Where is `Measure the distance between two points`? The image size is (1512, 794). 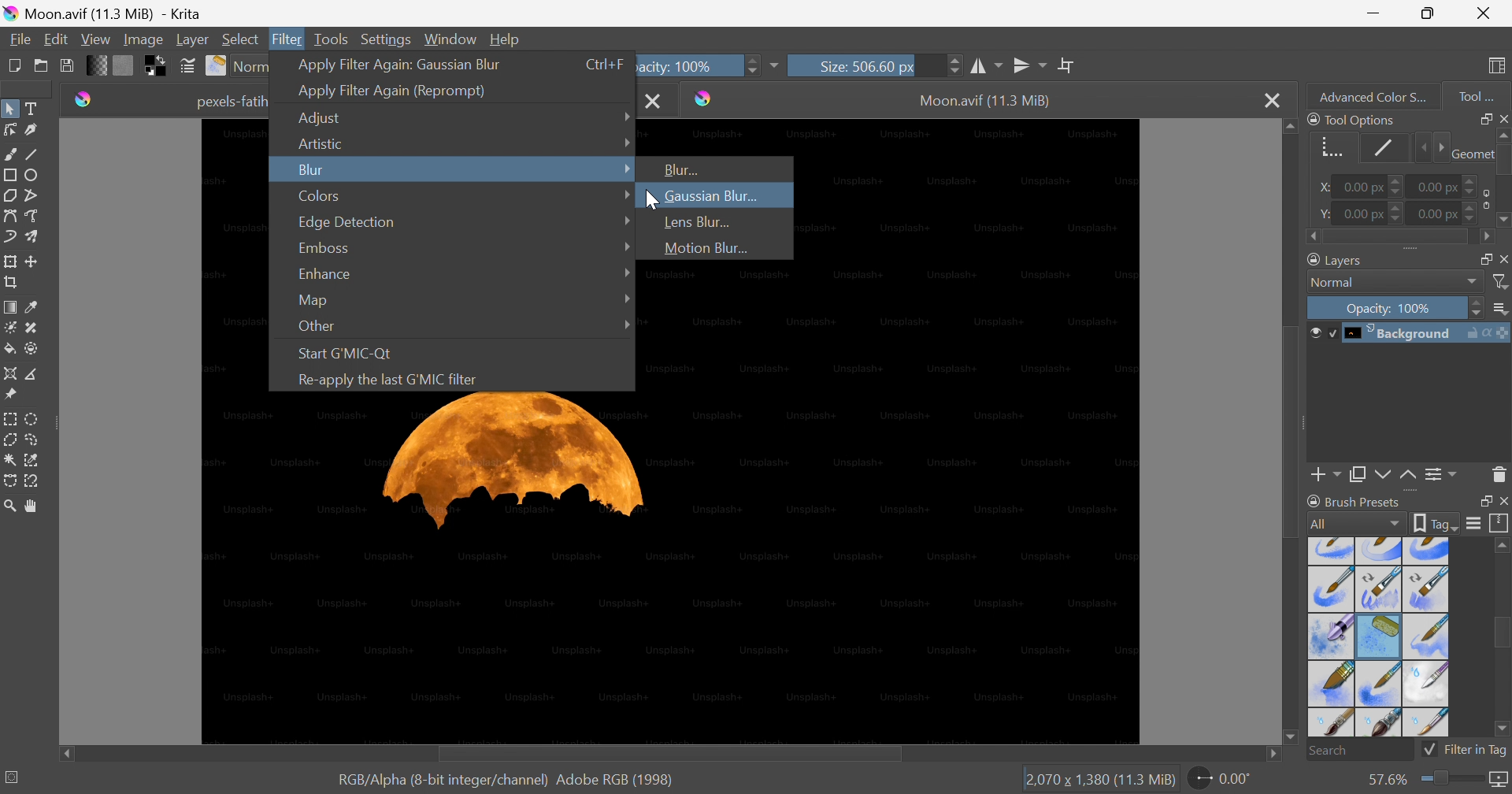 Measure the distance between two points is located at coordinates (33, 373).